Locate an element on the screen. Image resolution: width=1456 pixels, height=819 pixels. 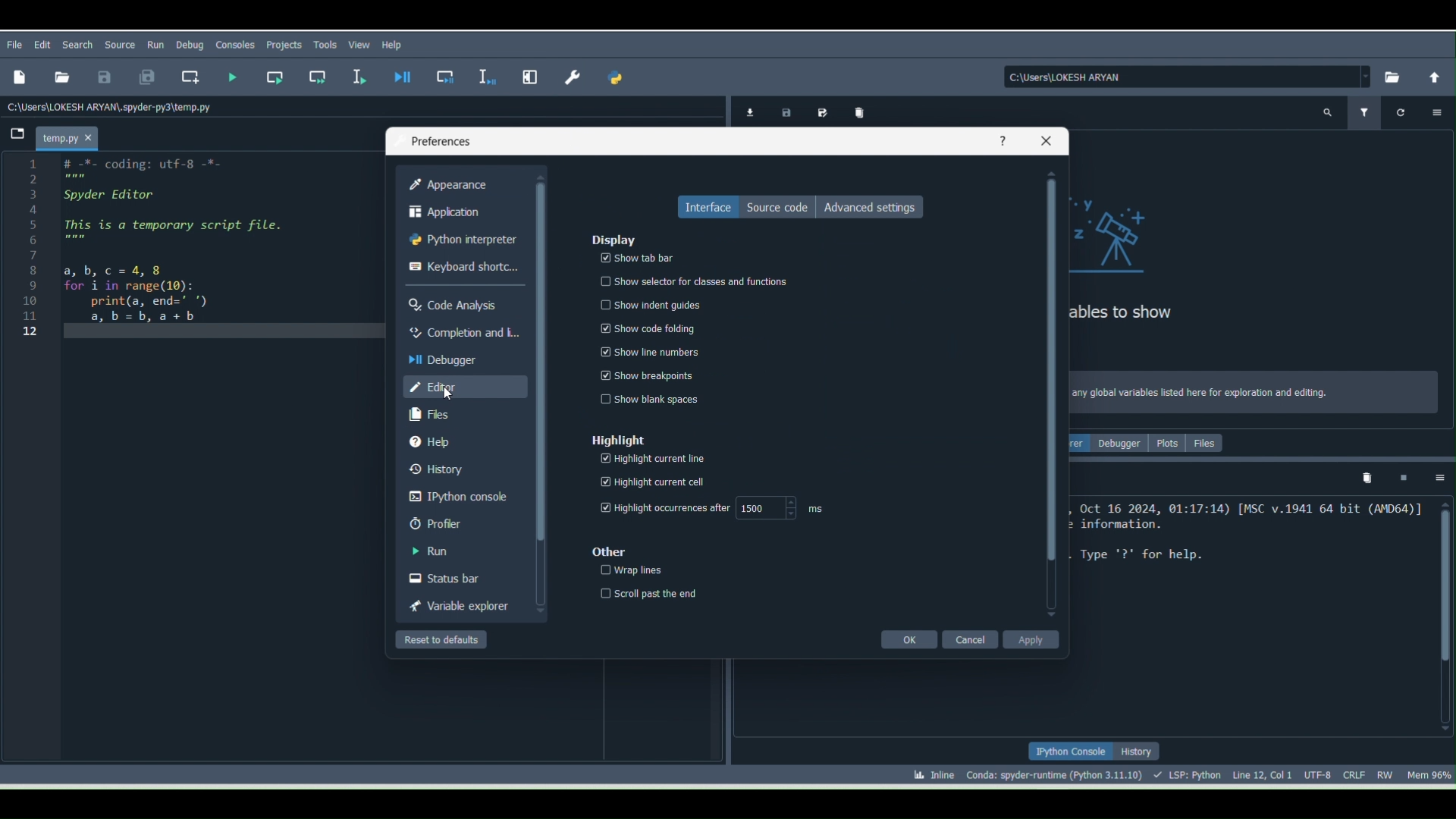
Remove all variables from namespace is located at coordinates (1368, 480).